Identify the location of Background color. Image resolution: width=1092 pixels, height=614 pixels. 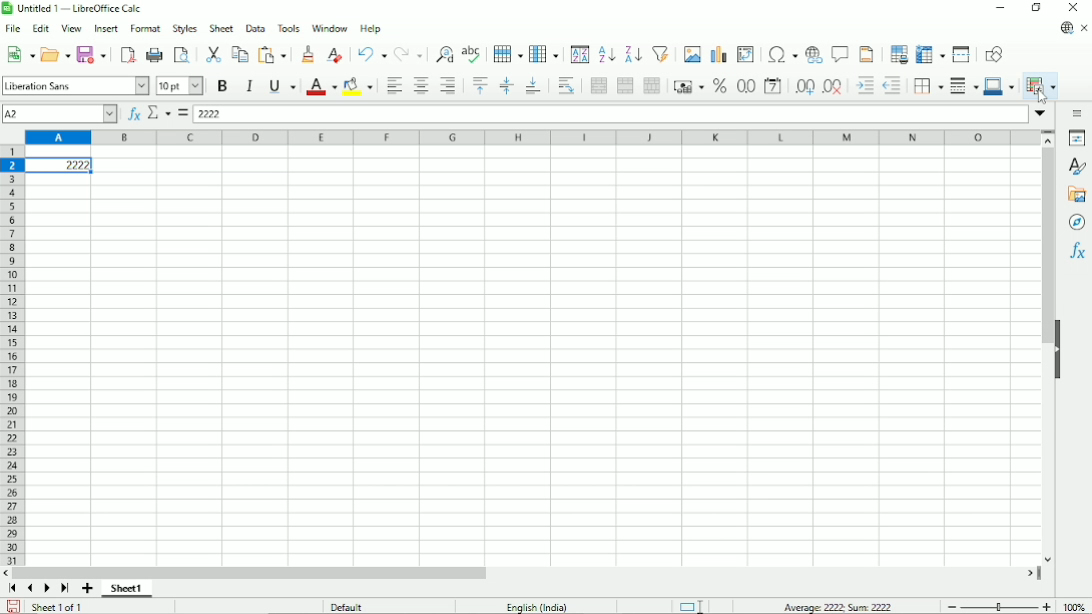
(357, 86).